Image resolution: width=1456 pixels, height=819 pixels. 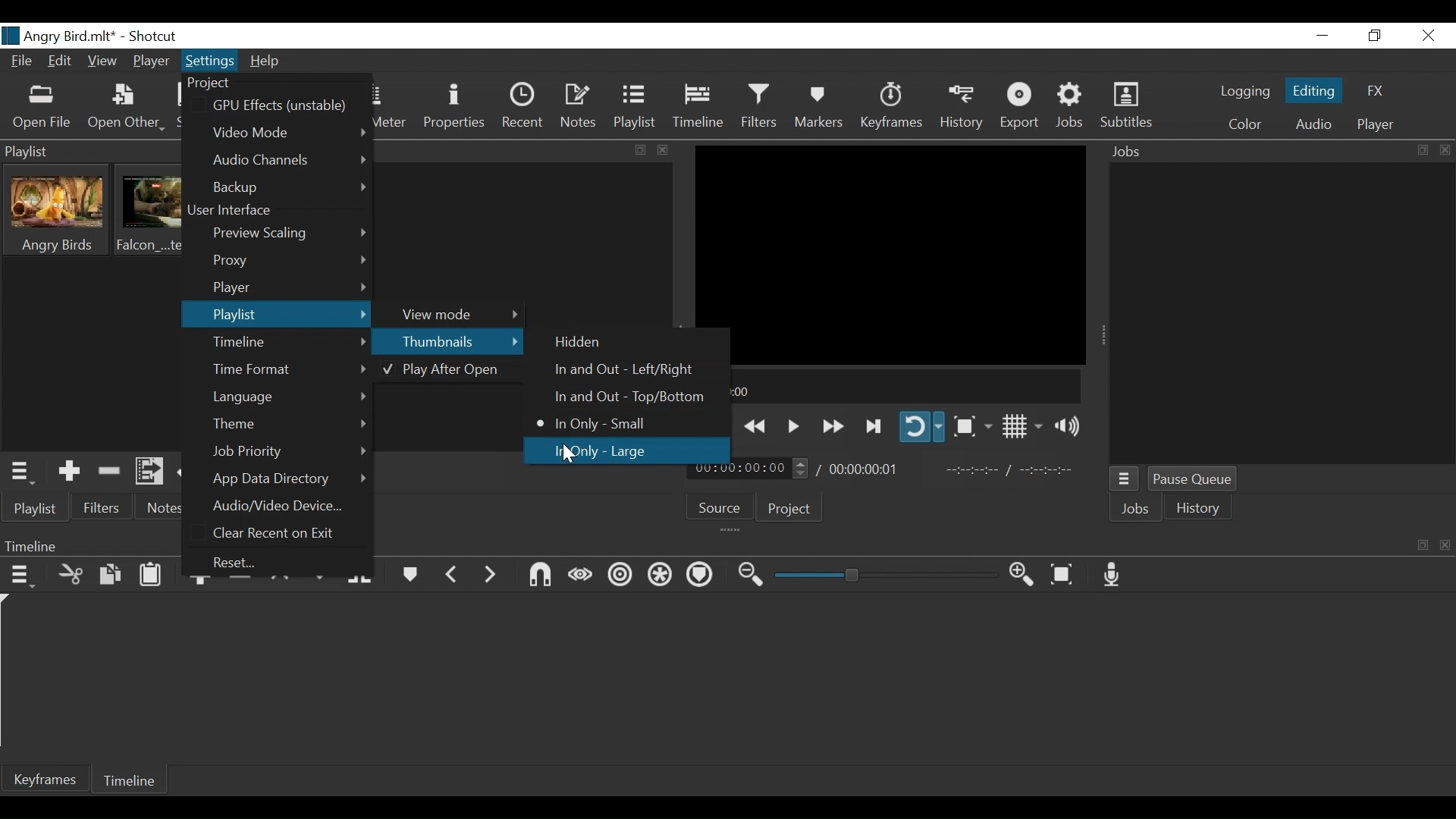 What do you see at coordinates (620, 578) in the screenshot?
I see `Ripple ` at bounding box center [620, 578].